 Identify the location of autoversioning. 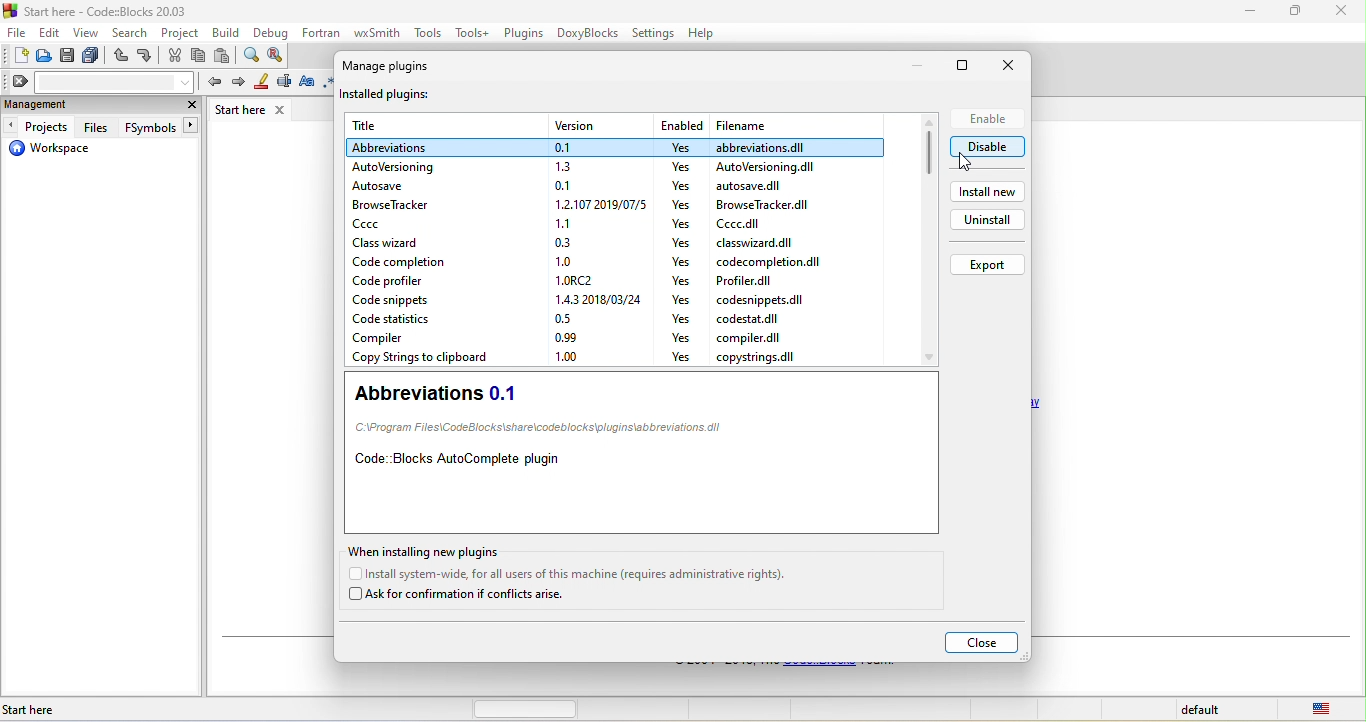
(393, 169).